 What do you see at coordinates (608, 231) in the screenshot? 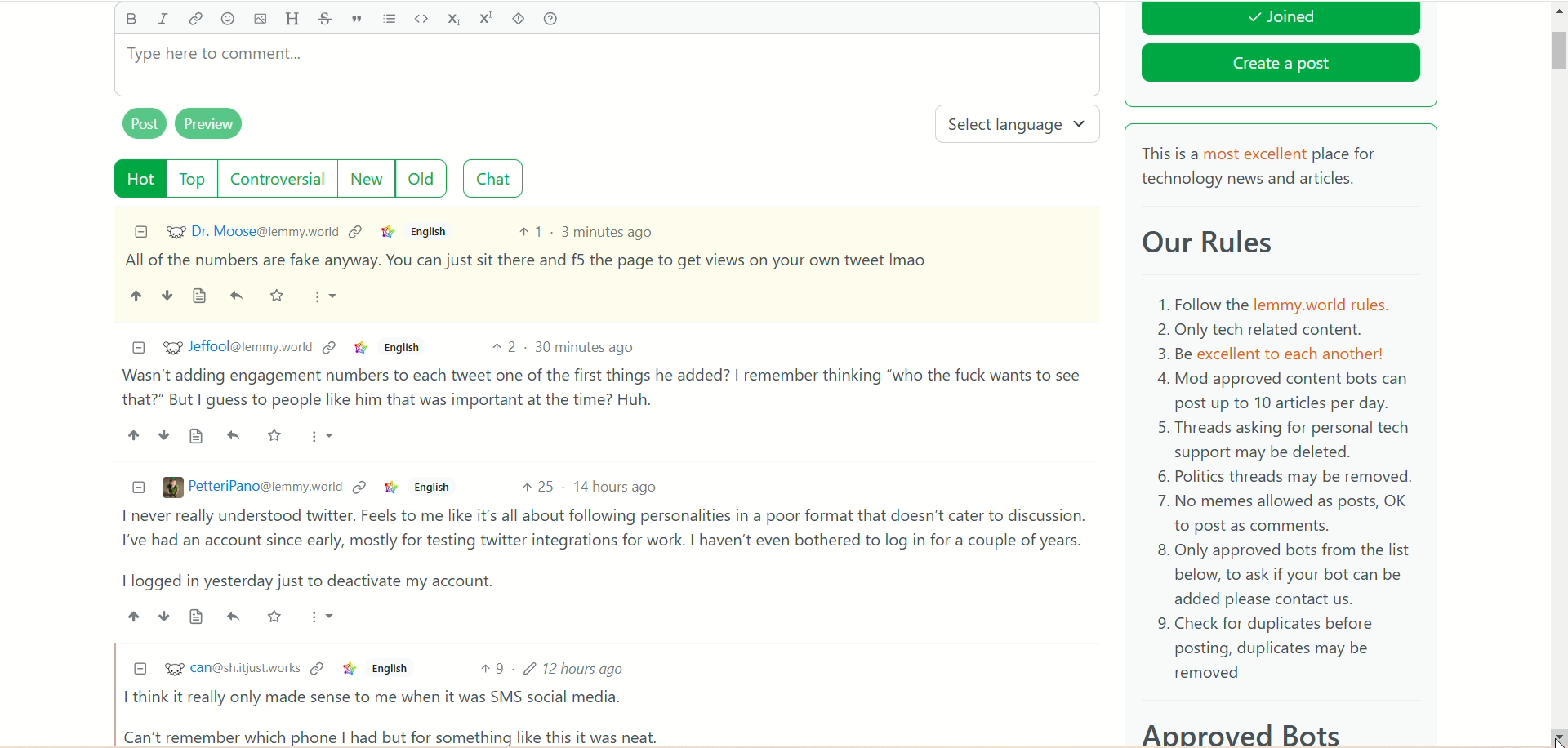
I see `3 minutes ago` at bounding box center [608, 231].